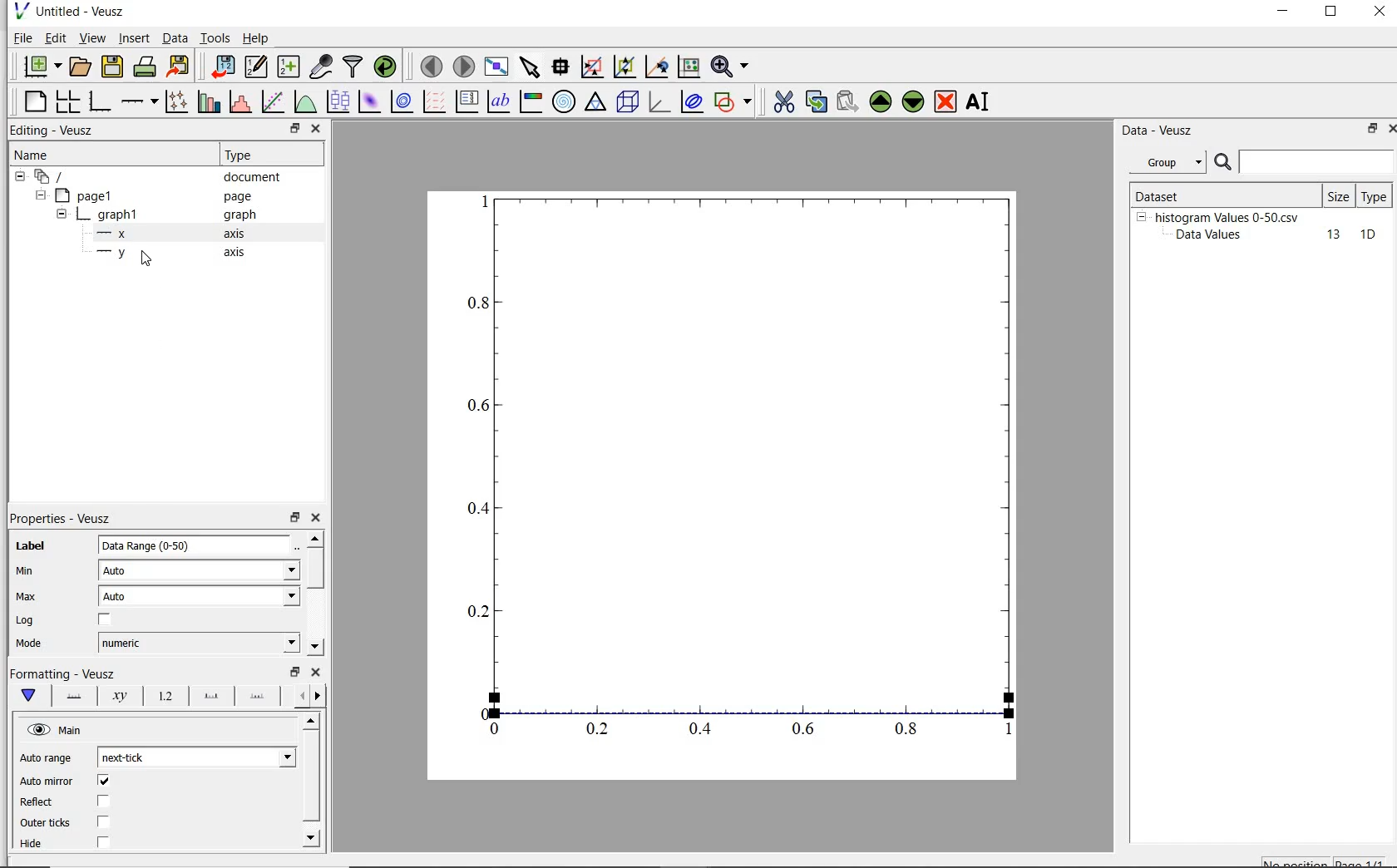 The height and width of the screenshot is (868, 1397). I want to click on minimize, so click(1284, 13).